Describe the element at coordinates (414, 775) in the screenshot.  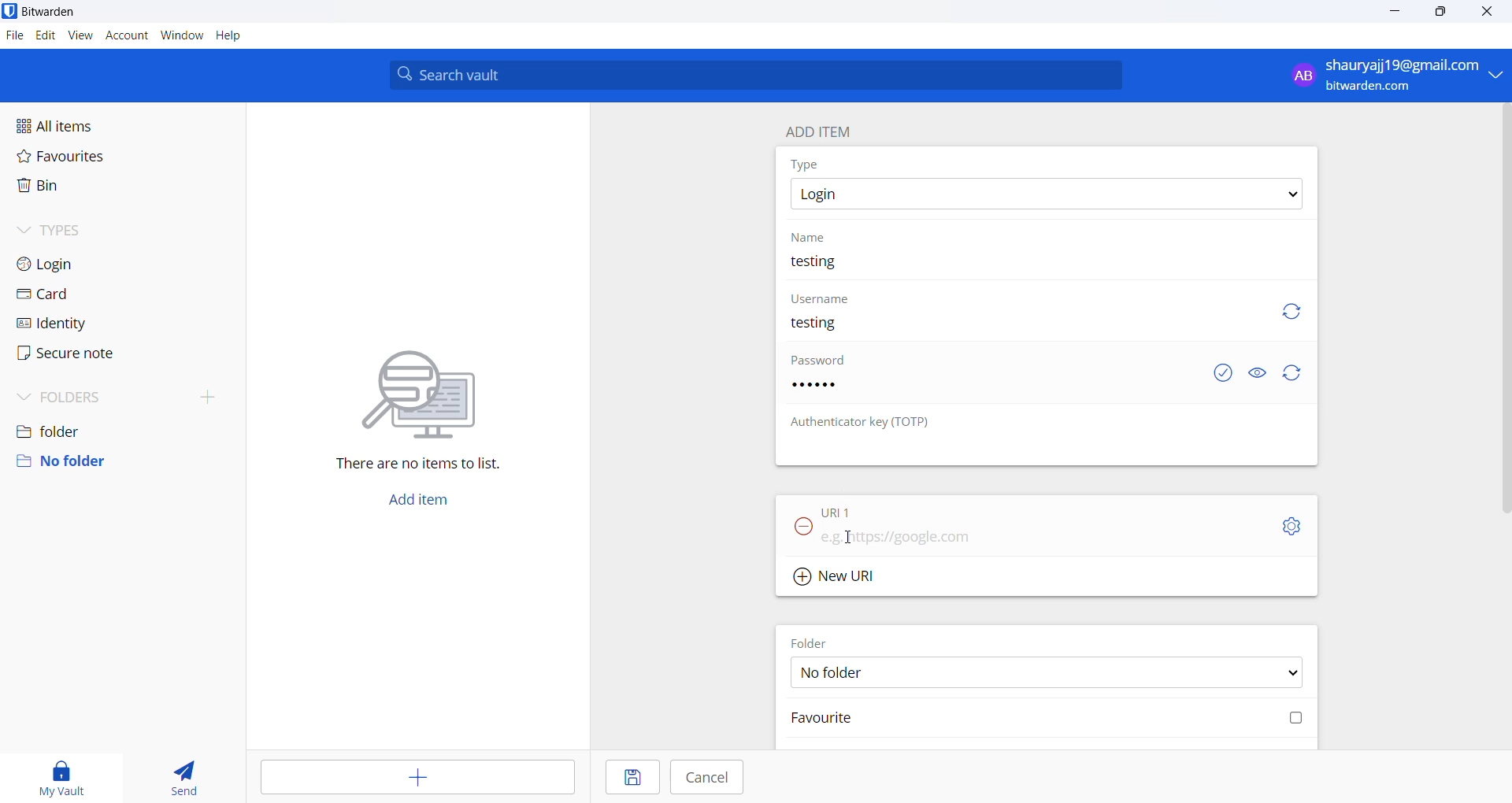
I see `add entry` at that location.